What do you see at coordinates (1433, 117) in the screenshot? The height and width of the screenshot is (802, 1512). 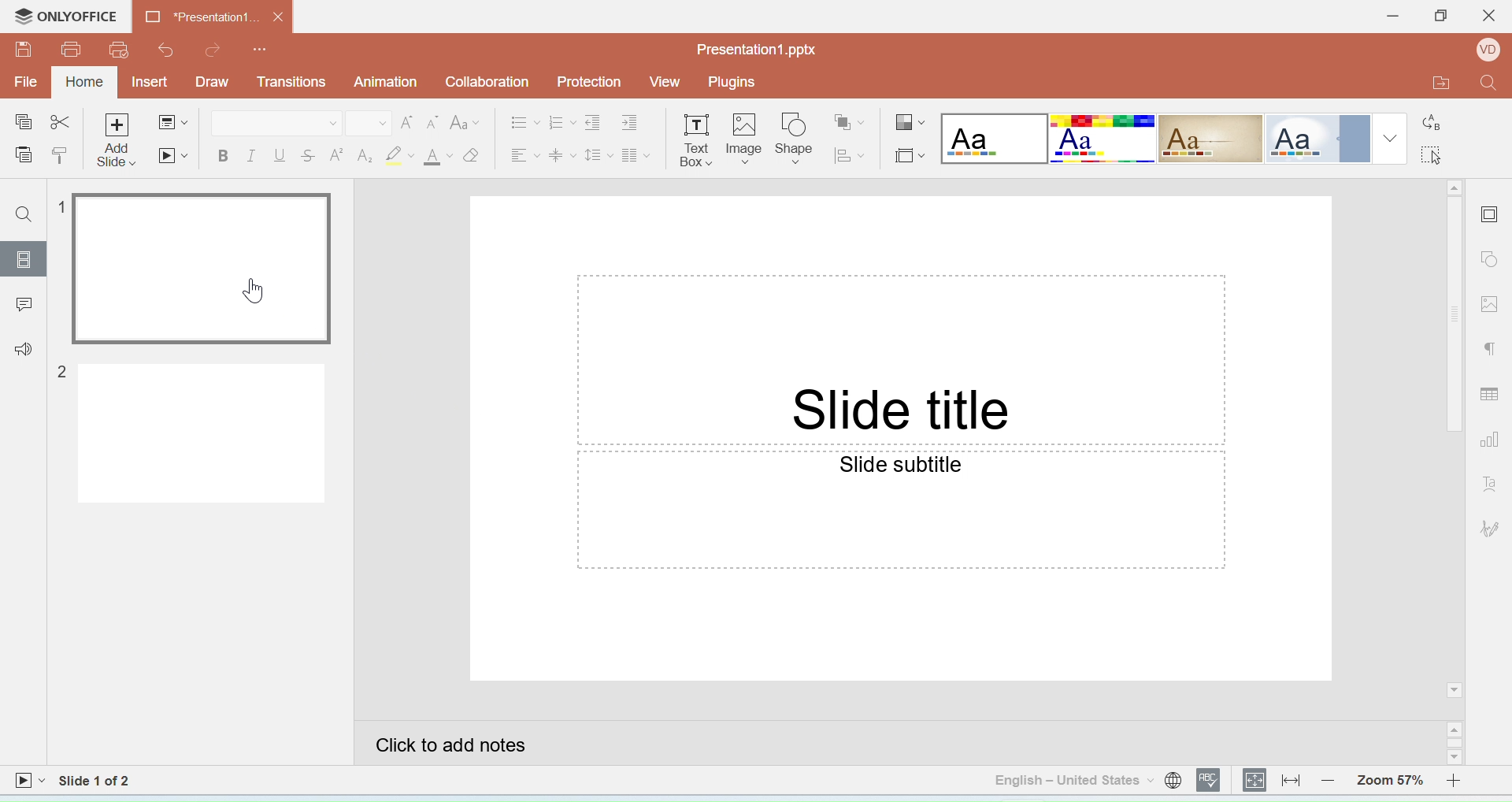 I see `Replace` at bounding box center [1433, 117].